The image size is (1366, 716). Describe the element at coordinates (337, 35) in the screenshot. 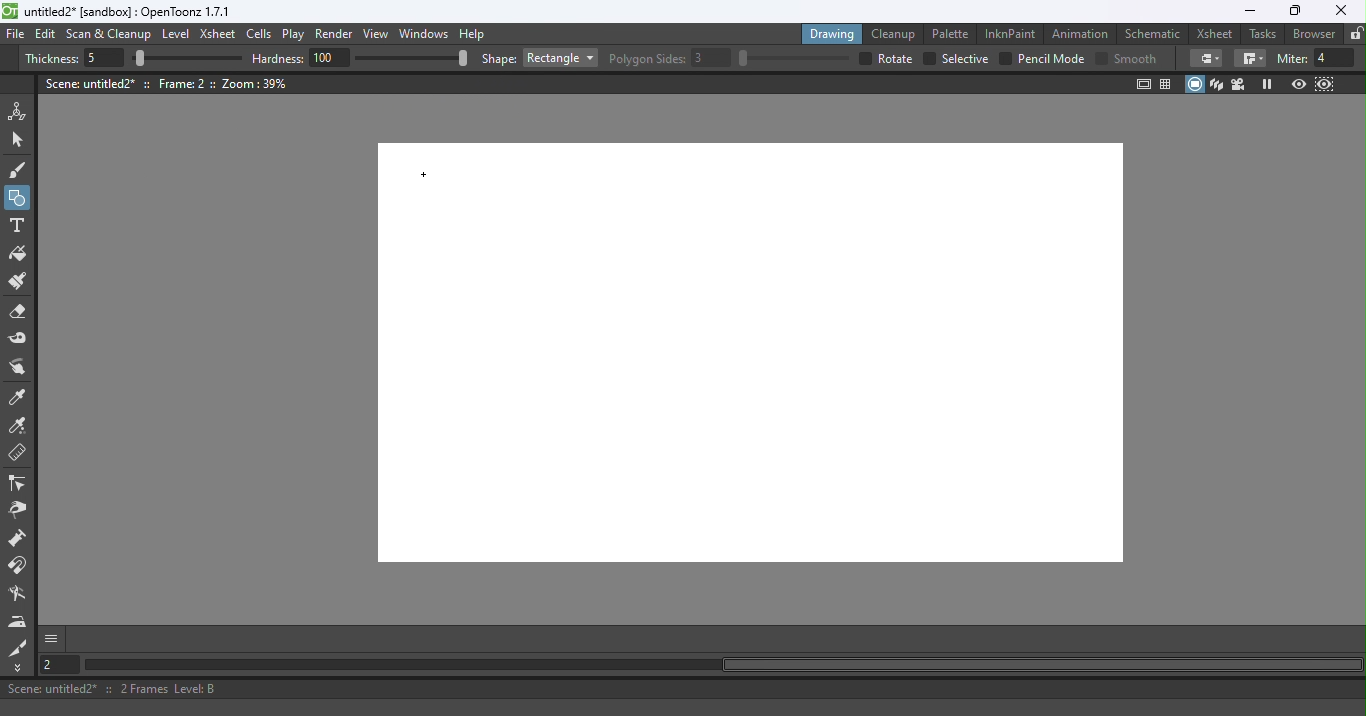

I see `Render` at that location.